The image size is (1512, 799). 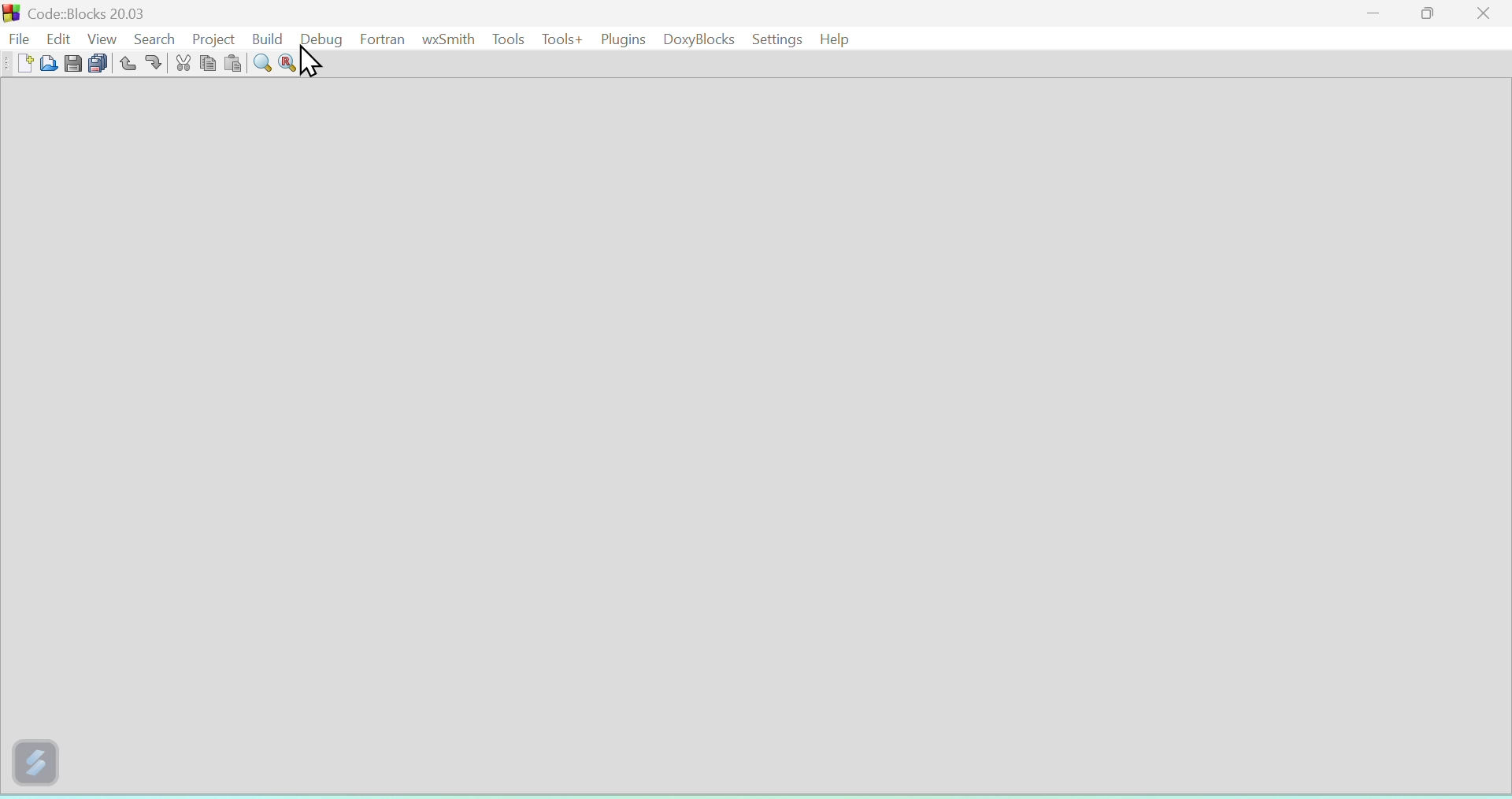 What do you see at coordinates (321, 39) in the screenshot?
I see `Debug` at bounding box center [321, 39].